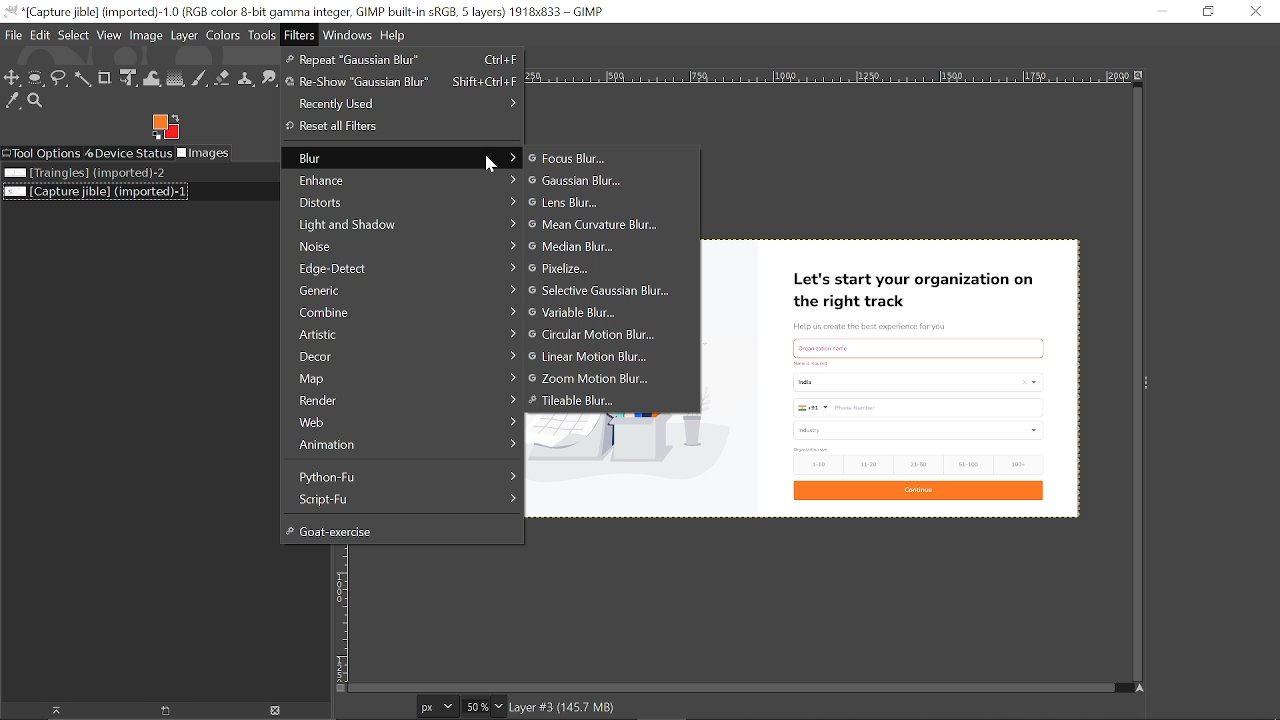  I want to click on File named "Triangles", so click(84, 173).